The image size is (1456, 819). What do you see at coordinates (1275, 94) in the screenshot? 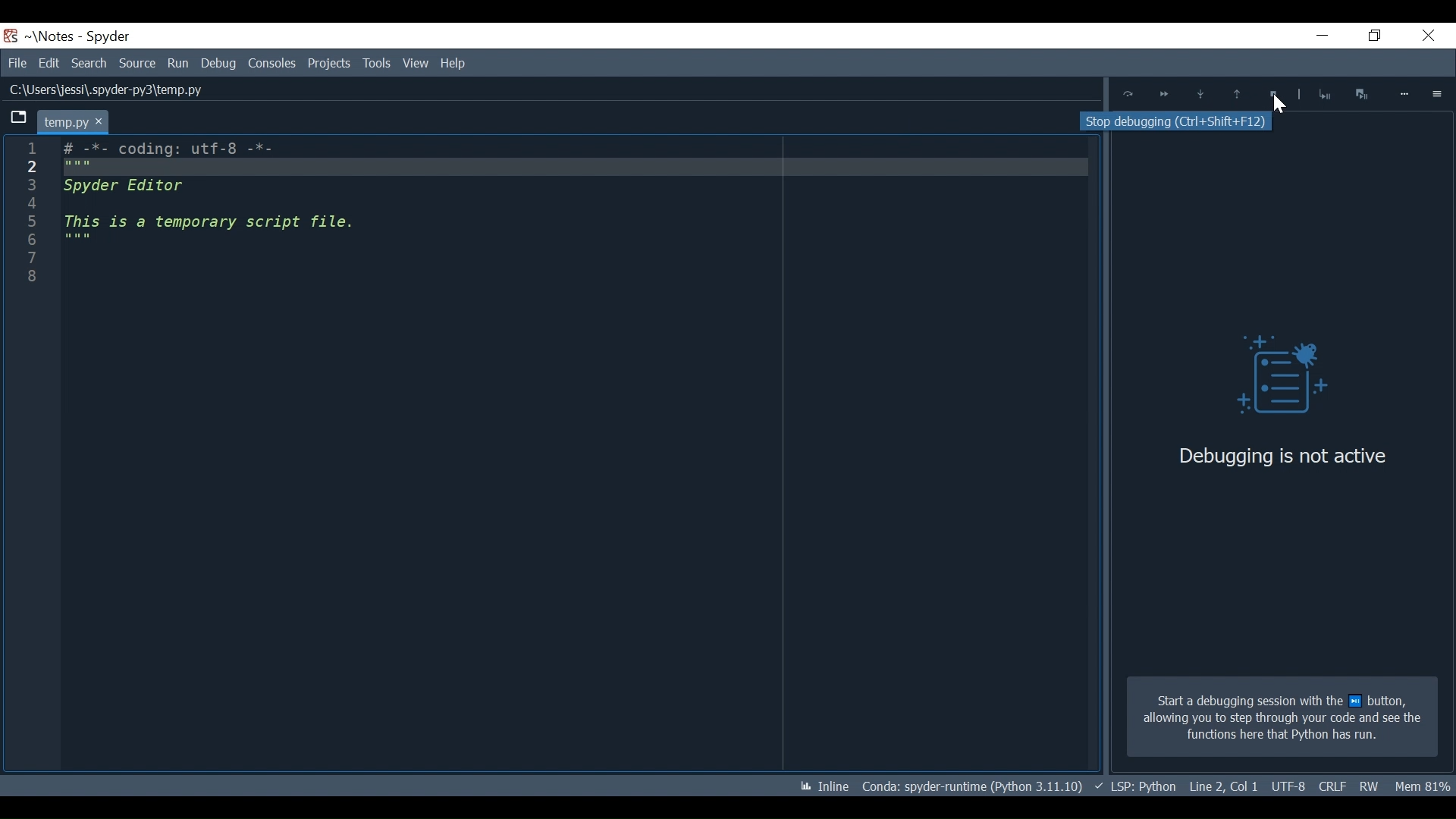
I see `Stop Debugging` at bounding box center [1275, 94].